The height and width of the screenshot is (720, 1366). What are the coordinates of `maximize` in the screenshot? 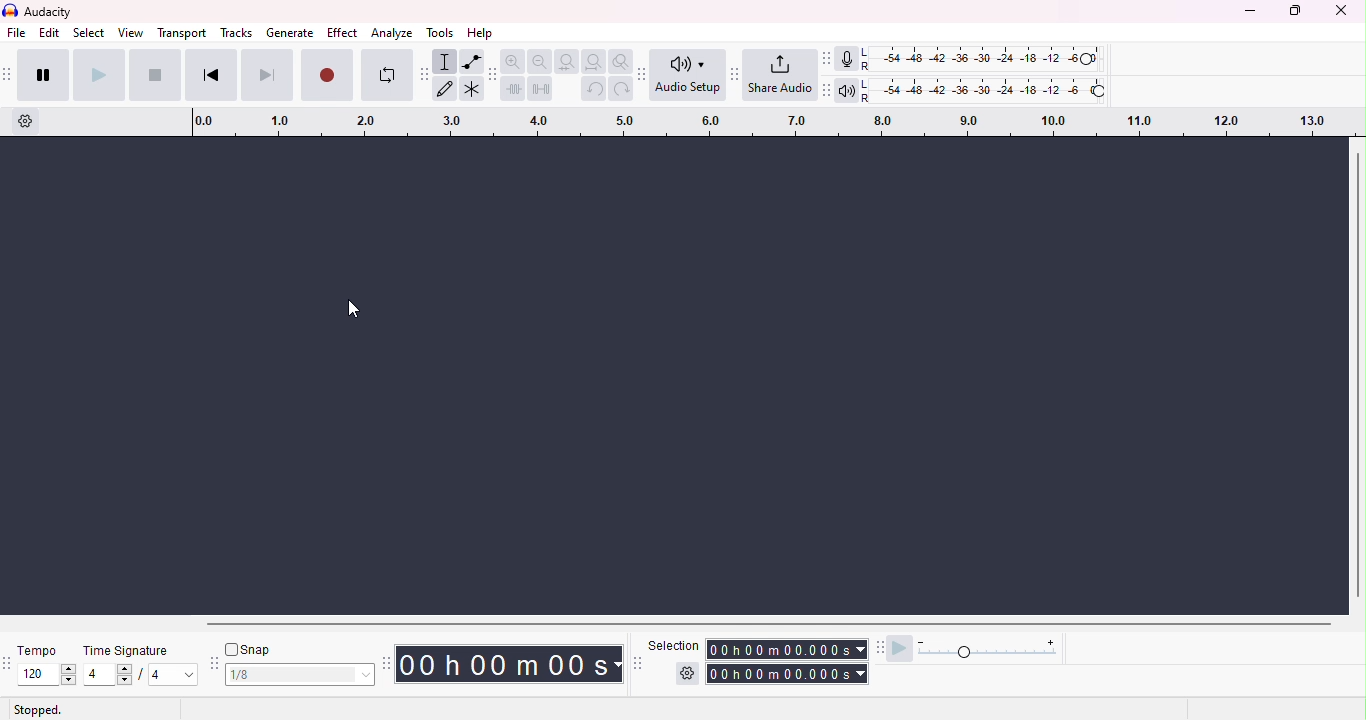 It's located at (1295, 11).